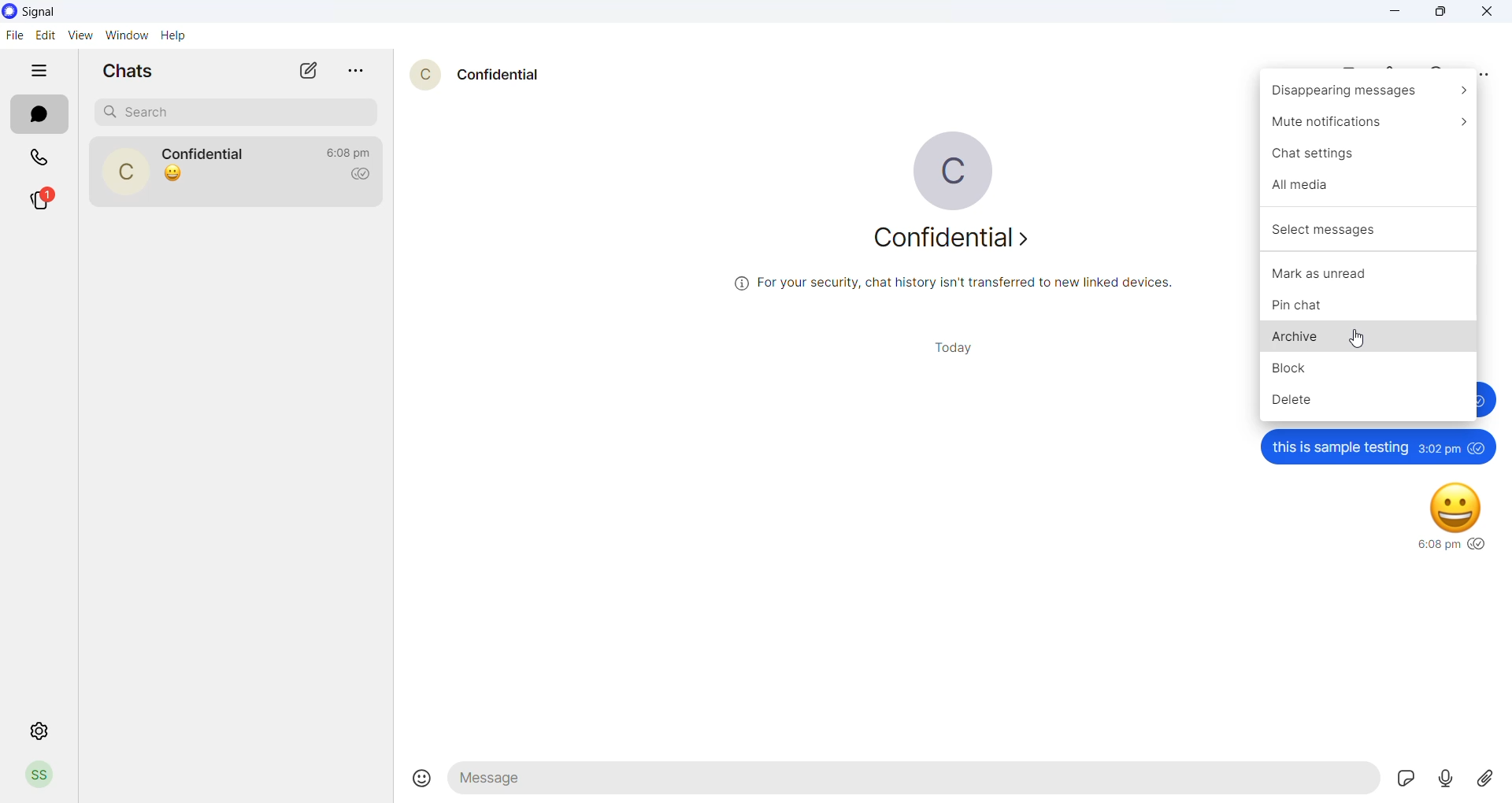 The width and height of the screenshot is (1512, 803). I want to click on view, so click(78, 35).